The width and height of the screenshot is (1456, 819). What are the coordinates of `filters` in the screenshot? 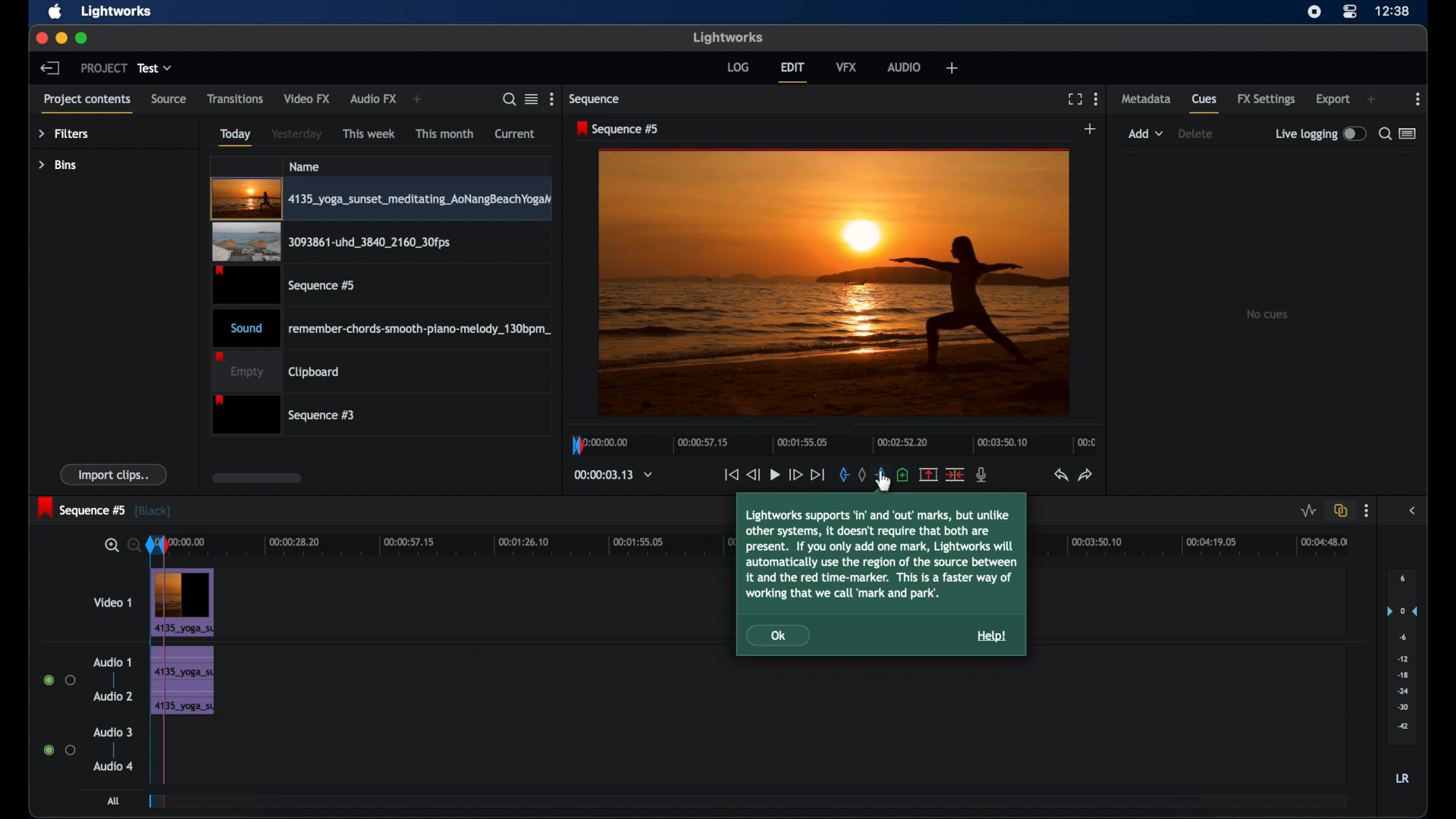 It's located at (63, 134).